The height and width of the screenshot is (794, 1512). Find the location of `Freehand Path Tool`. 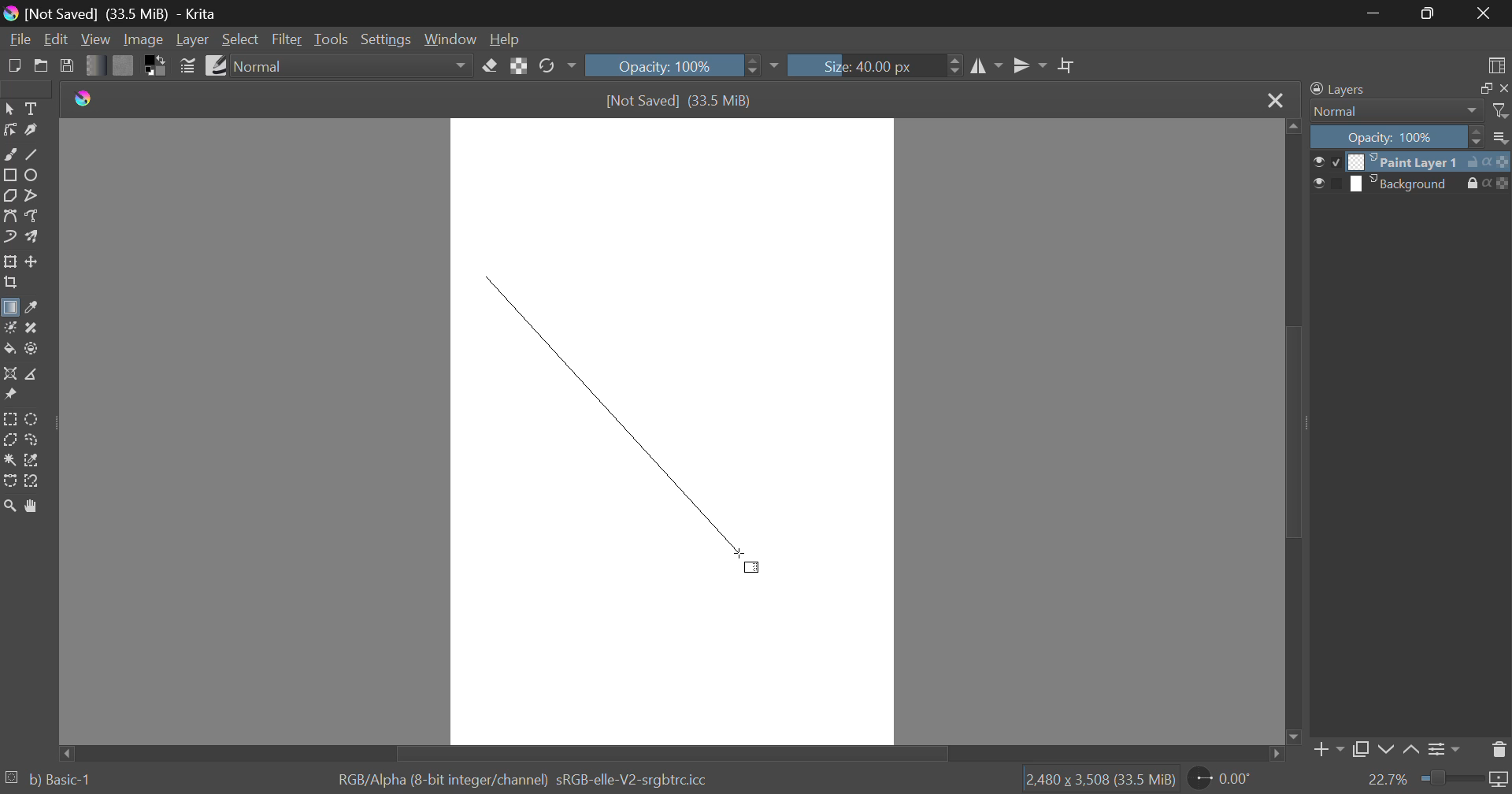

Freehand Path Tool is located at coordinates (35, 217).